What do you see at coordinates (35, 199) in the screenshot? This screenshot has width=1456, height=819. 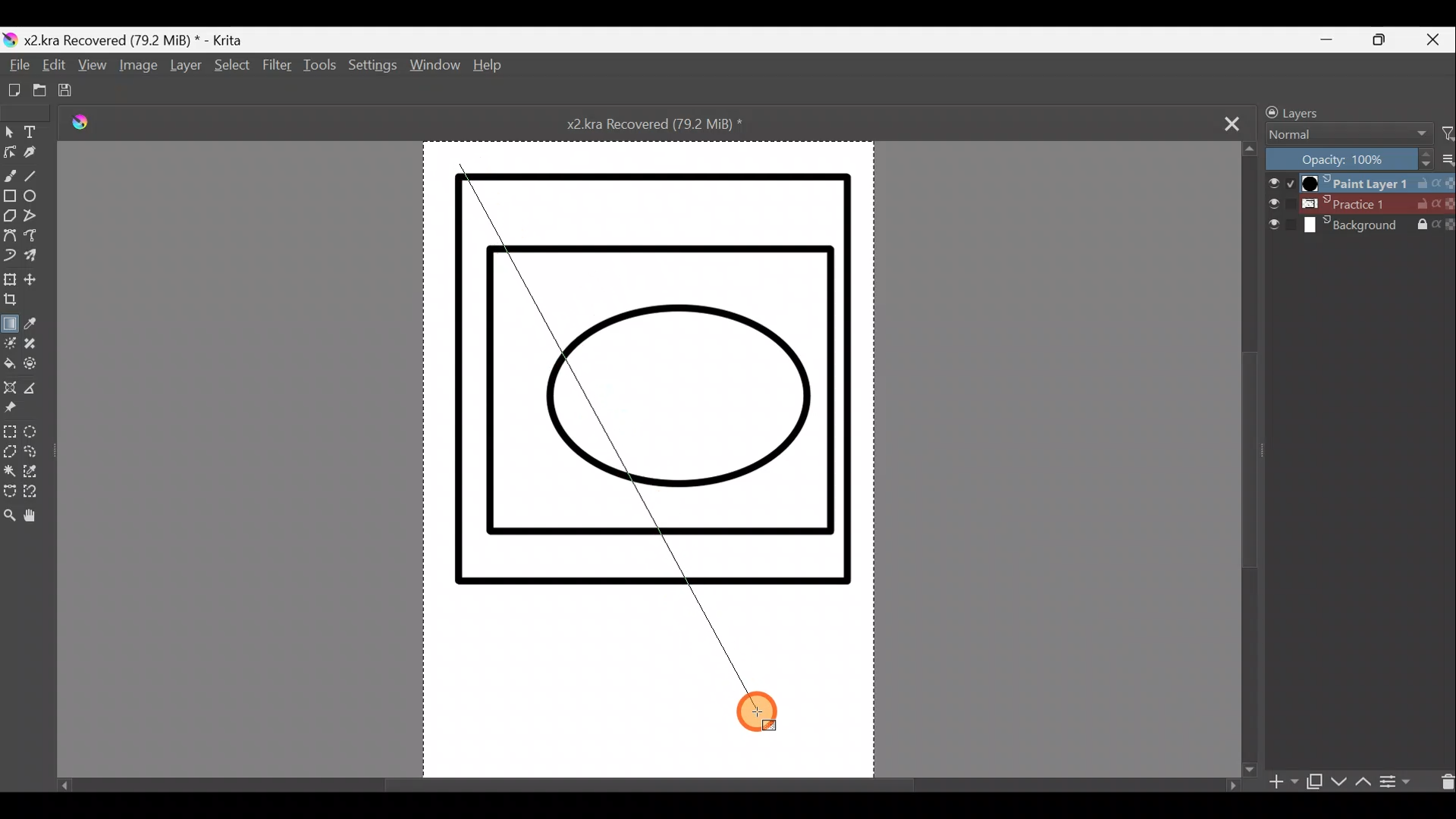 I see `Ellipse tool` at bounding box center [35, 199].